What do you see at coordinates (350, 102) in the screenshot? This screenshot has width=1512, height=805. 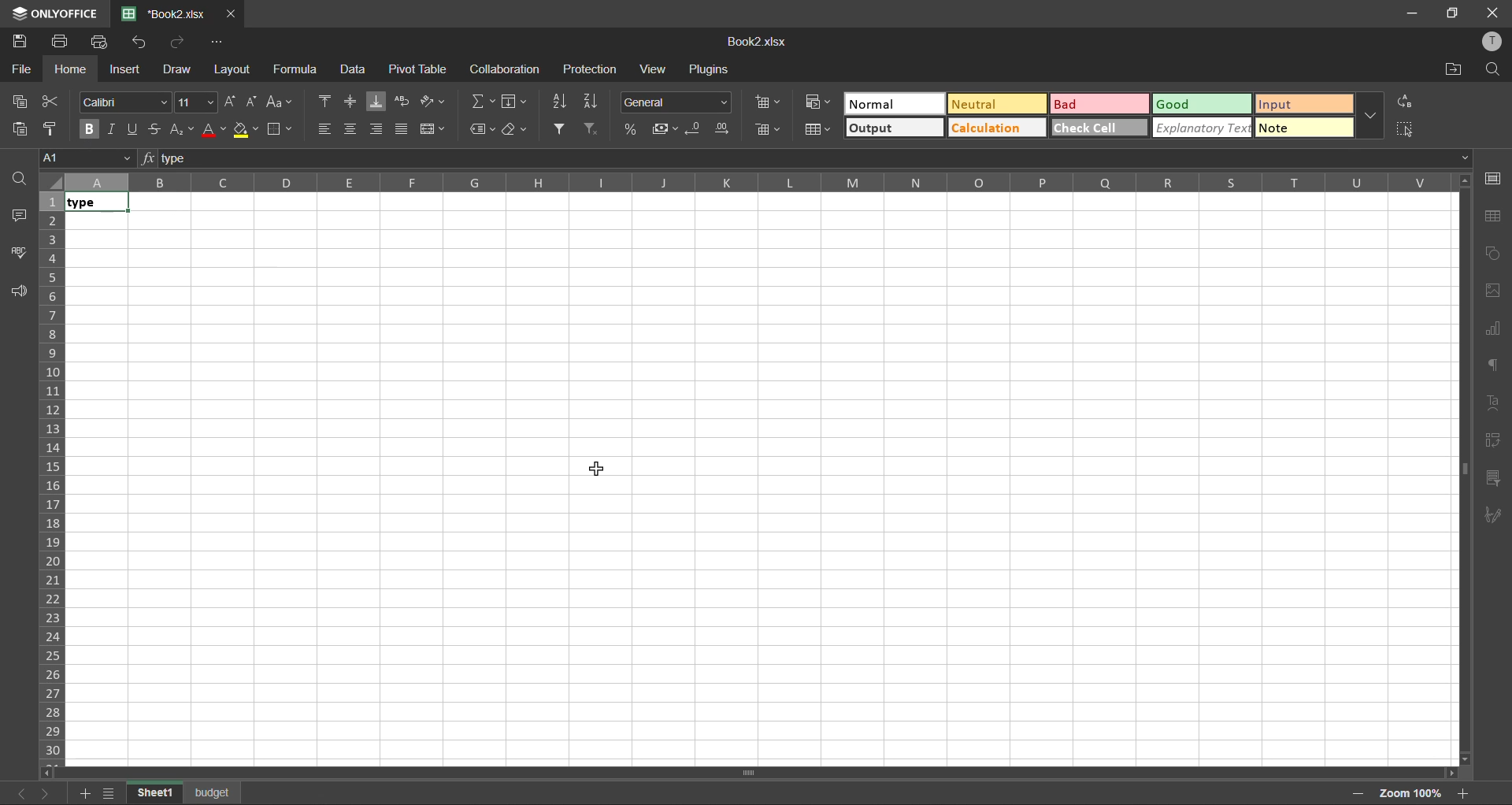 I see `align middle` at bounding box center [350, 102].